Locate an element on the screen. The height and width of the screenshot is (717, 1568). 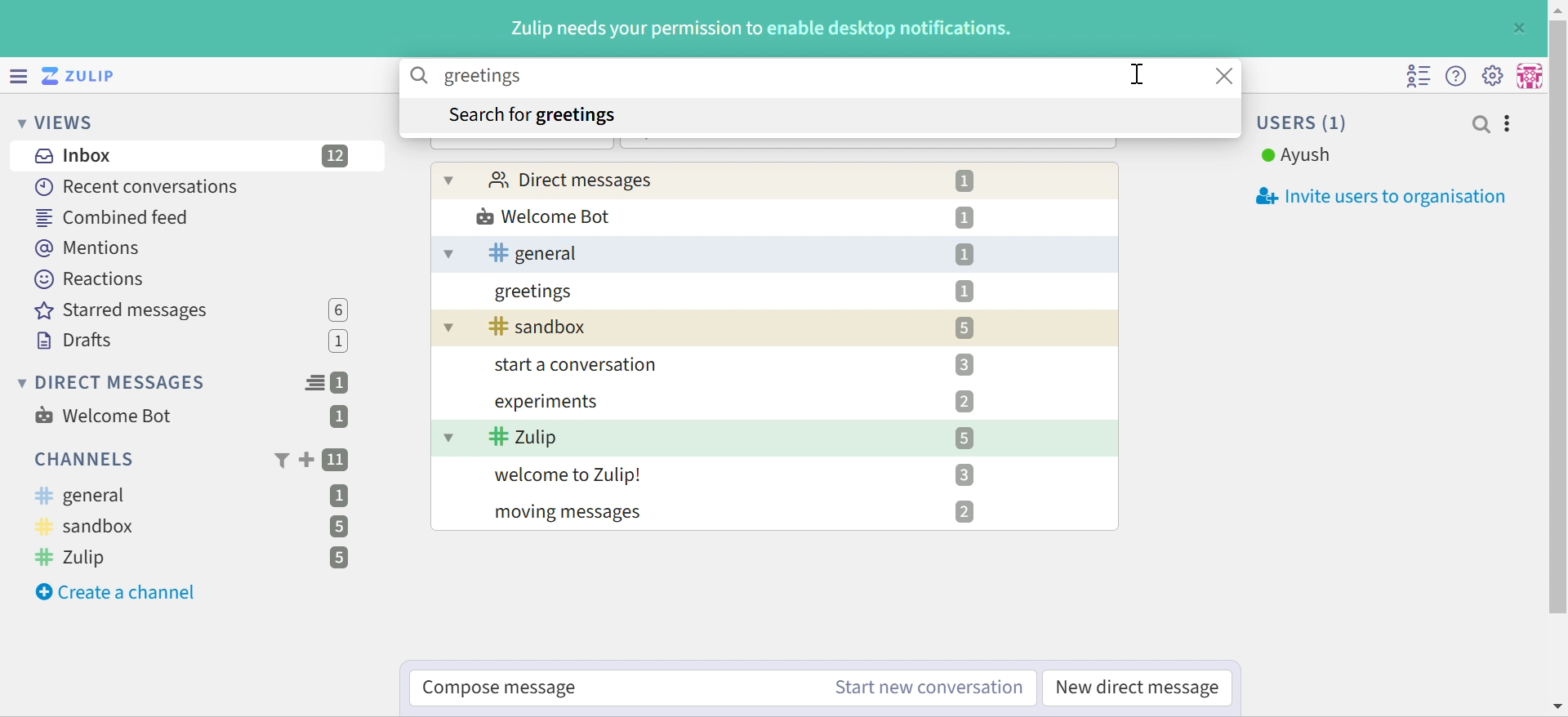
Zulip needs your permission to enable desktop notifications. is located at coordinates (764, 29).